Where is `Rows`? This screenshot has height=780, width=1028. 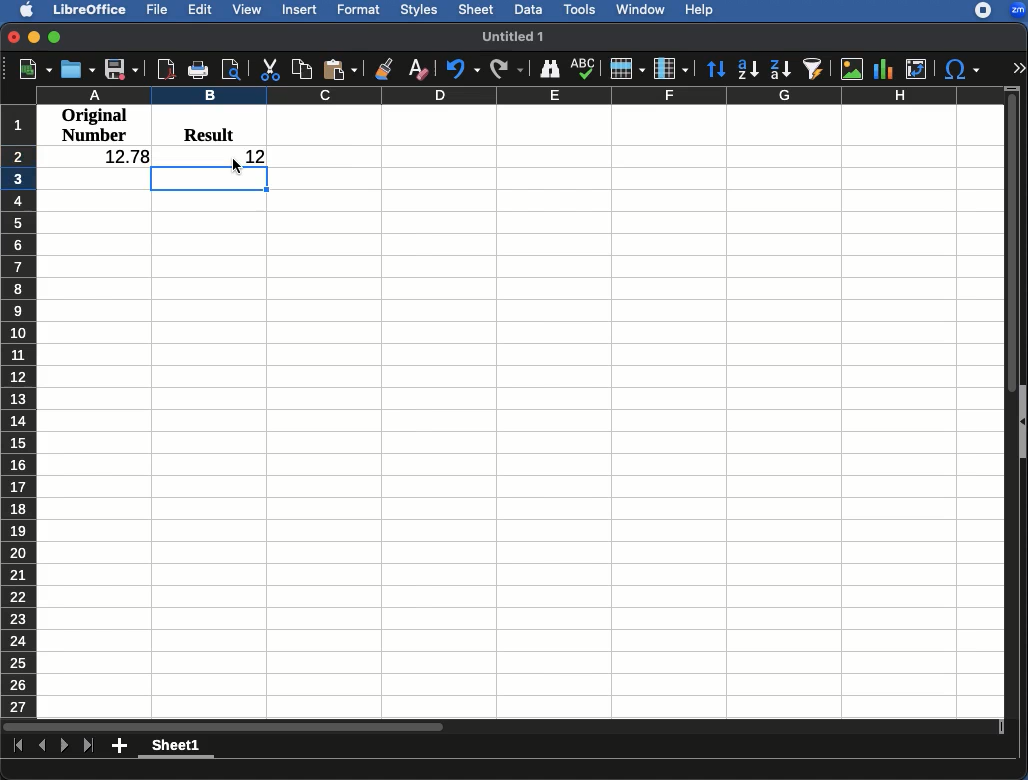 Rows is located at coordinates (19, 411).